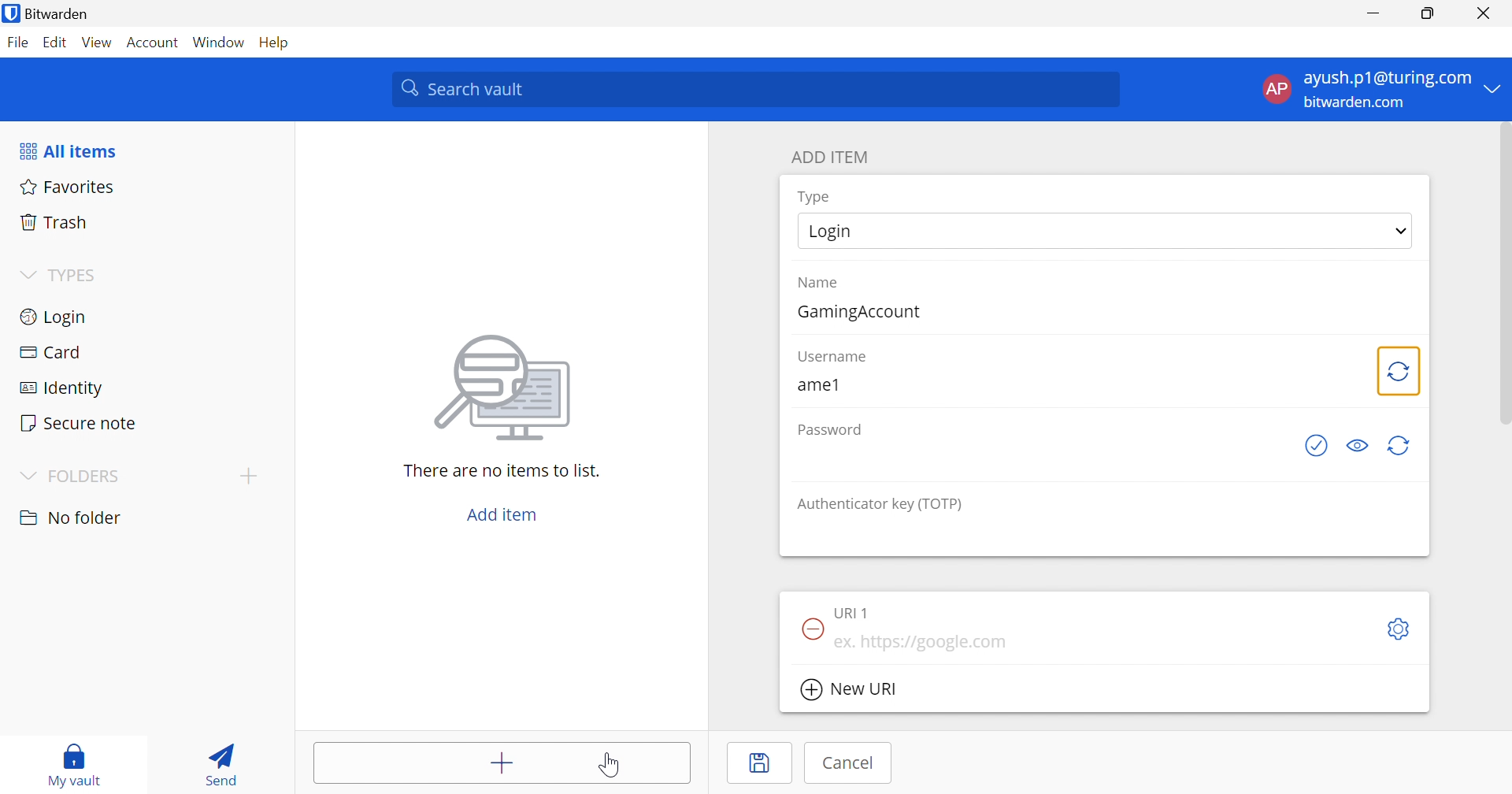 The width and height of the screenshot is (1512, 794). I want to click on Drop Down, so click(1402, 231).